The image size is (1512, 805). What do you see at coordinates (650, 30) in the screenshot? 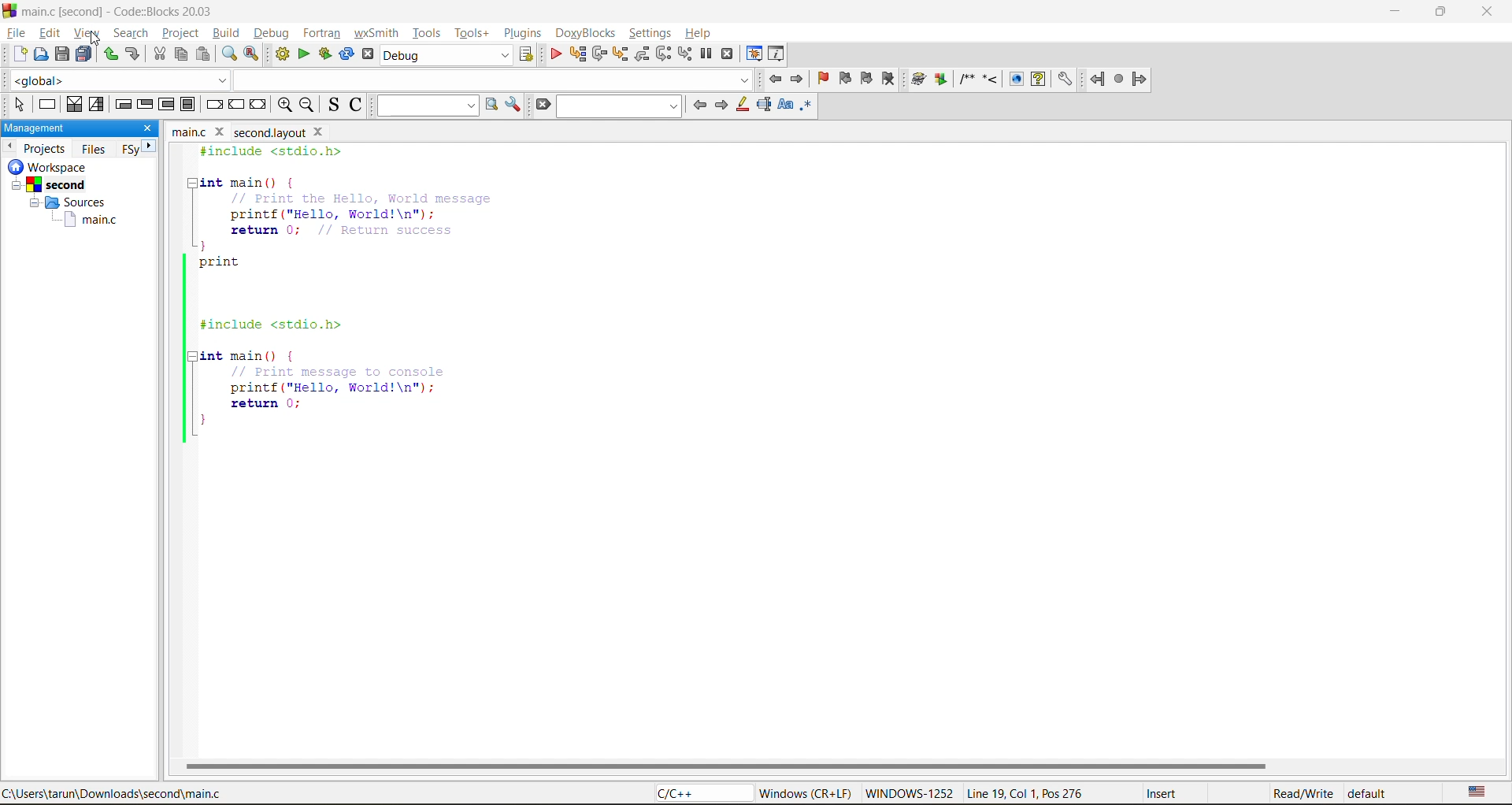
I see `settings` at bounding box center [650, 30].